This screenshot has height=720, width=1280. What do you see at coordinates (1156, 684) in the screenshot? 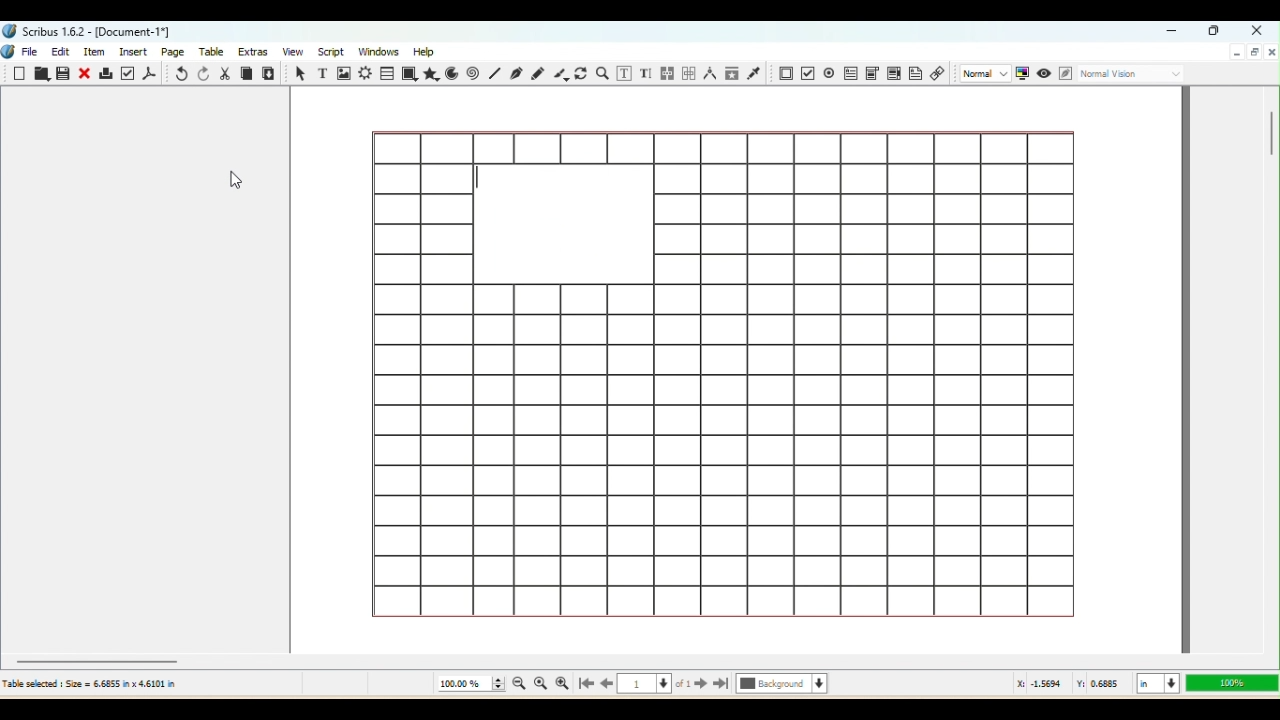
I see `Select the current Unit` at bounding box center [1156, 684].